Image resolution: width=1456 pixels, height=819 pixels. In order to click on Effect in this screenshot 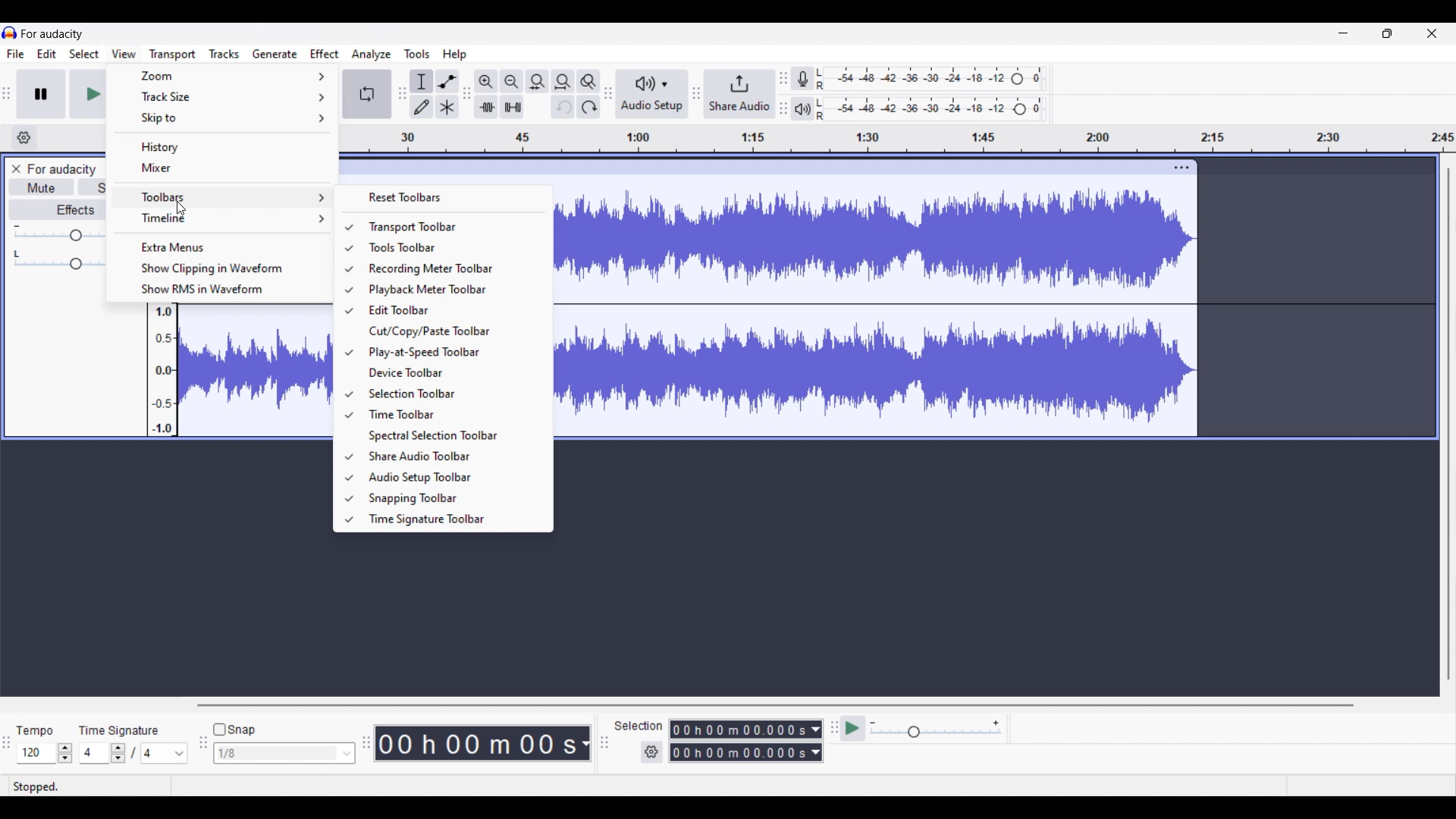, I will do `click(325, 55)`.